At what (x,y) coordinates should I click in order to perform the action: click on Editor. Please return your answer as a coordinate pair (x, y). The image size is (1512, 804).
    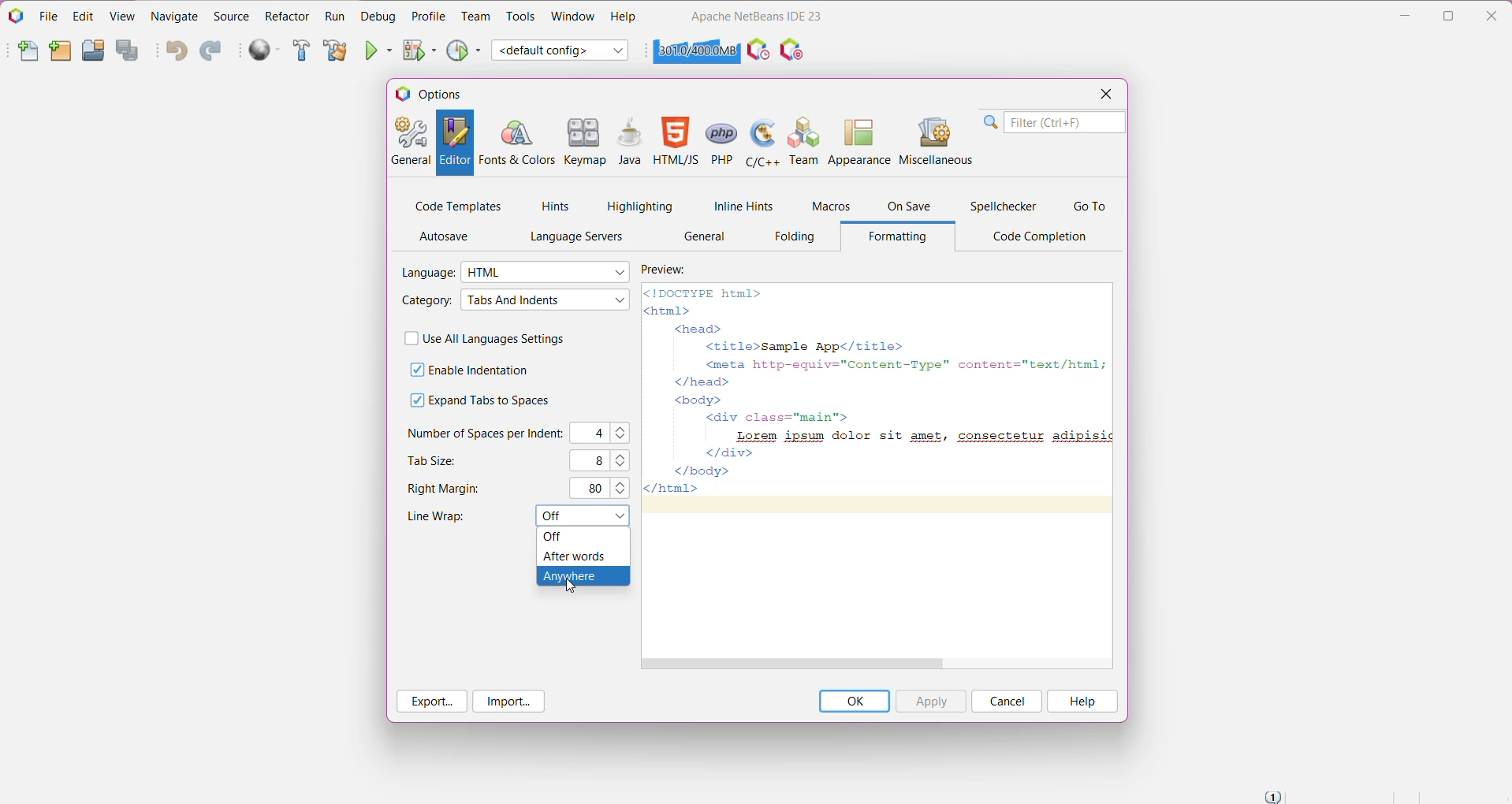
    Looking at the image, I should click on (453, 143).